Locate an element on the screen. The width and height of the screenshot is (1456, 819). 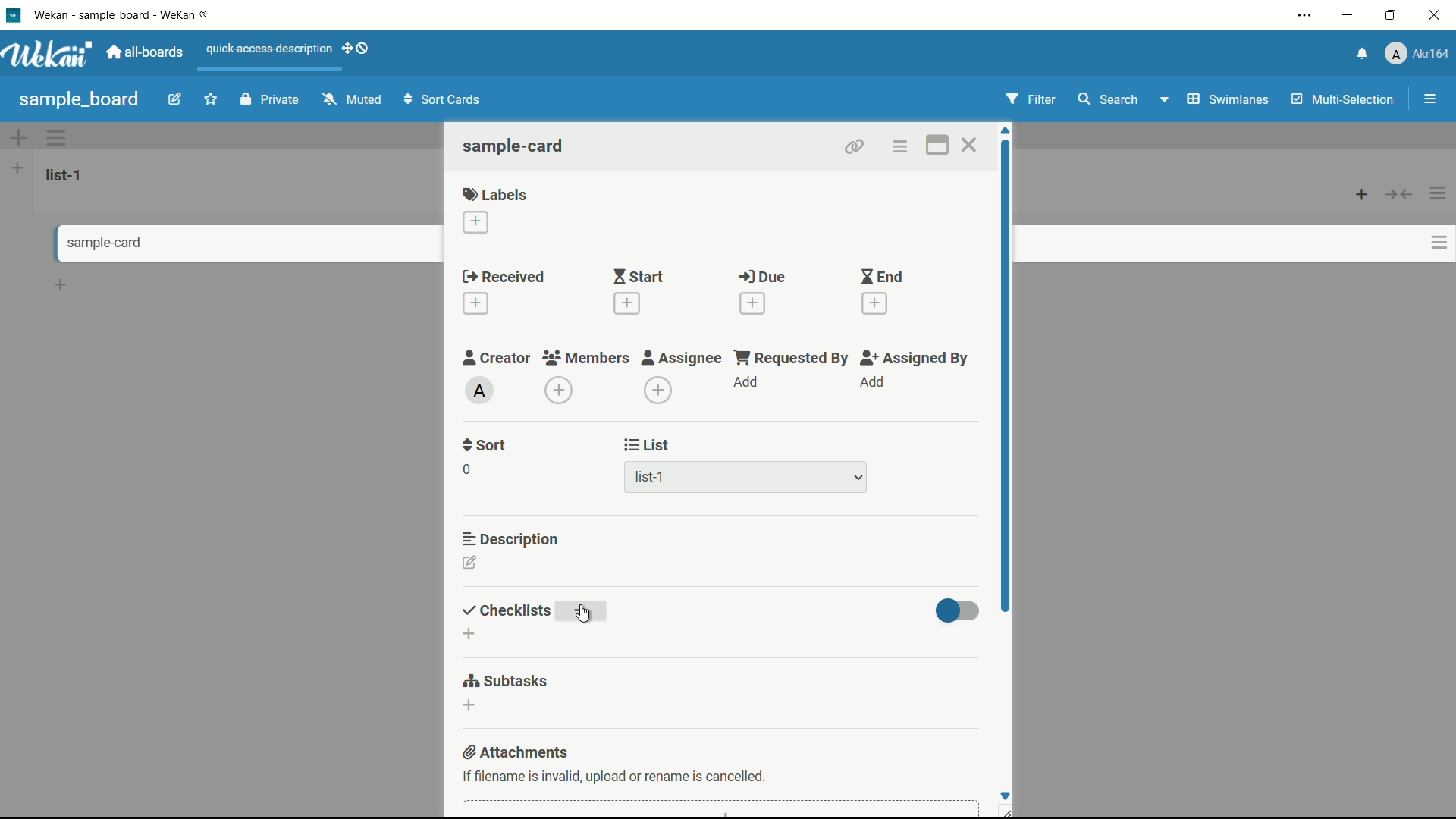
0 is located at coordinates (466, 469).